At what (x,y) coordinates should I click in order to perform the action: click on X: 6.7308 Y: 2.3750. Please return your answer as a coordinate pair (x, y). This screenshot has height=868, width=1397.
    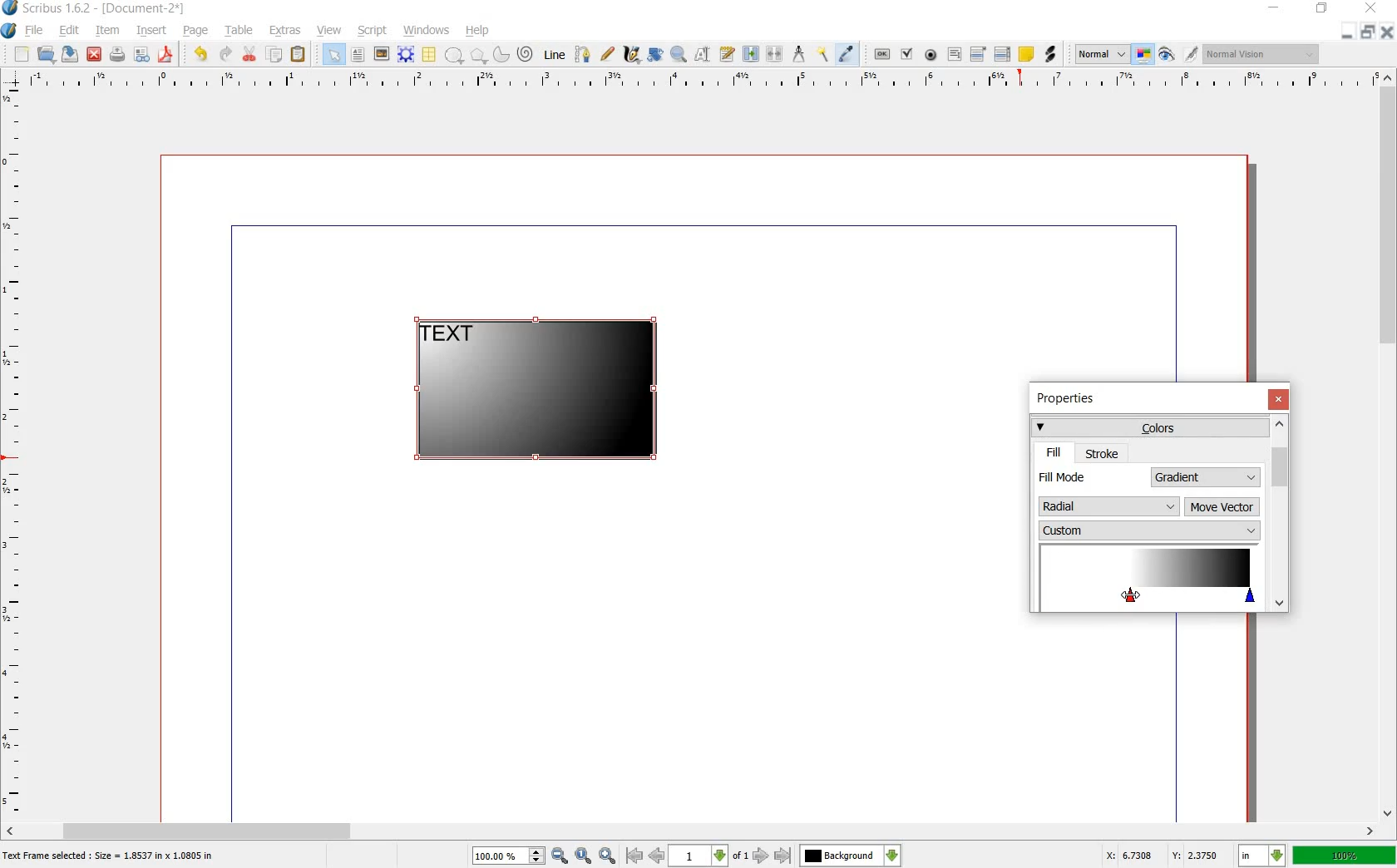
    Looking at the image, I should click on (1162, 855).